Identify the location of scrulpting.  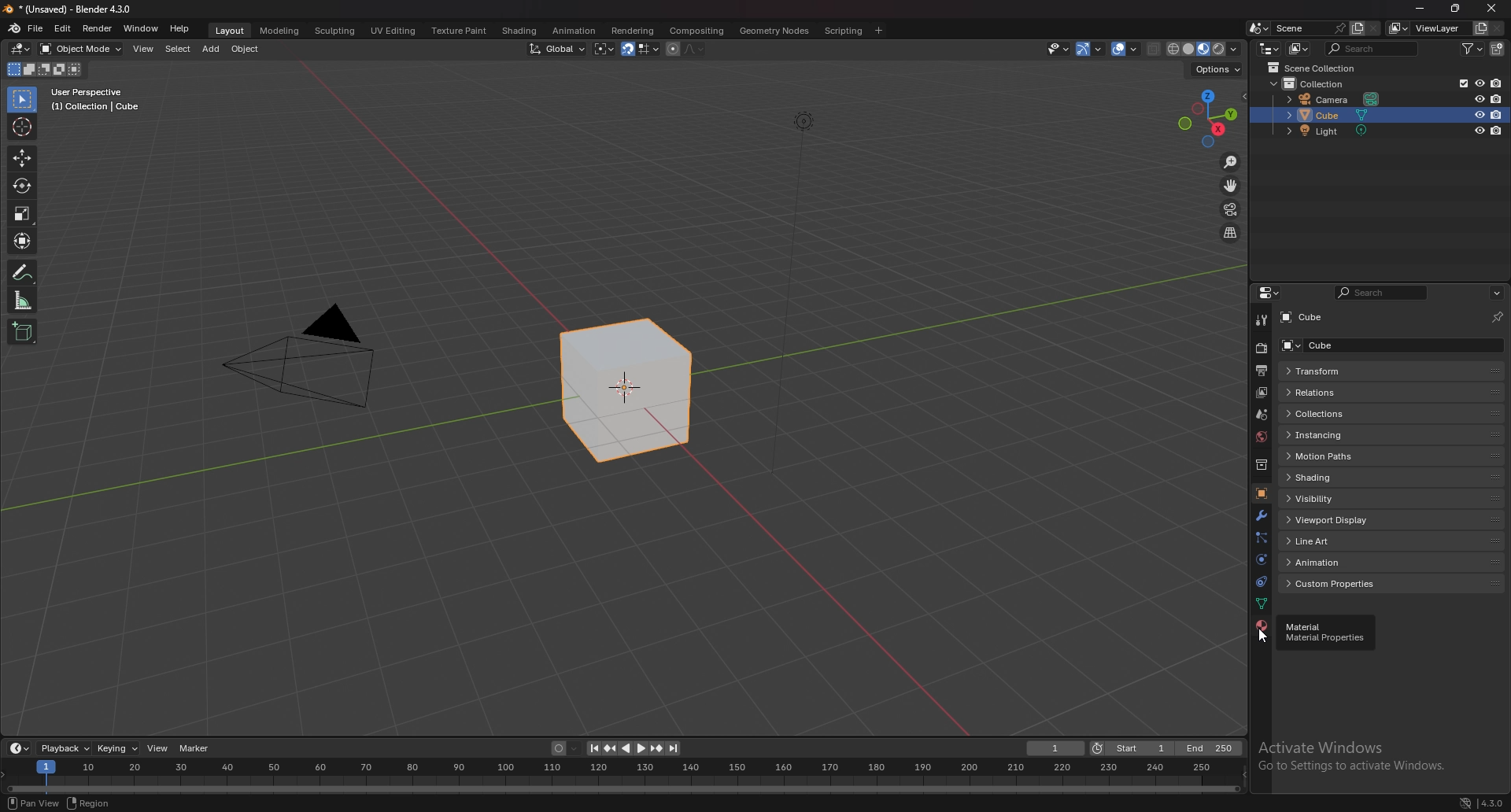
(337, 31).